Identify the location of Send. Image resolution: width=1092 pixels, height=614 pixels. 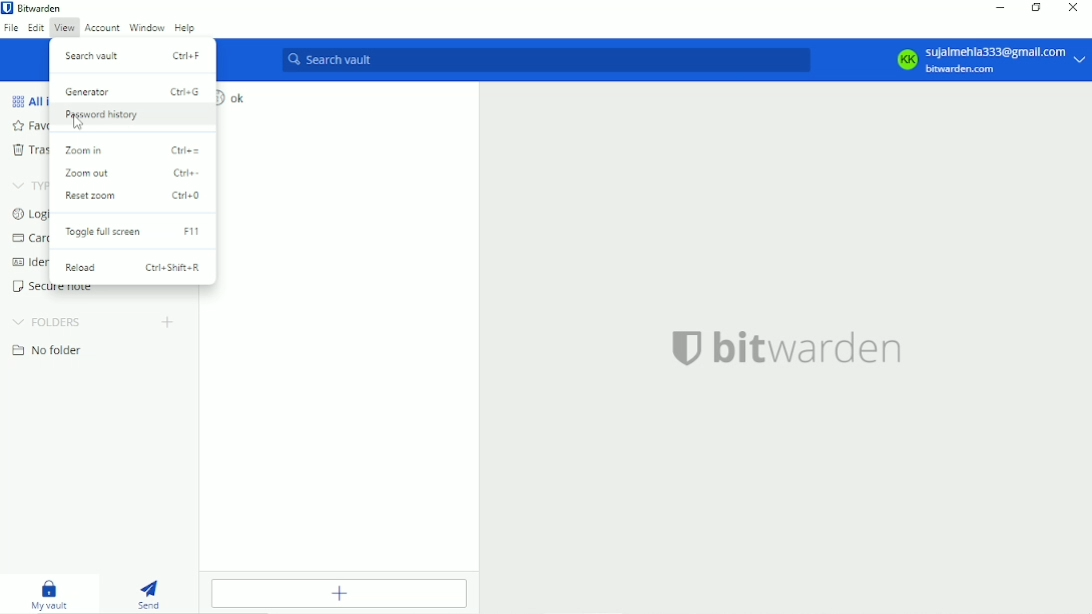
(151, 593).